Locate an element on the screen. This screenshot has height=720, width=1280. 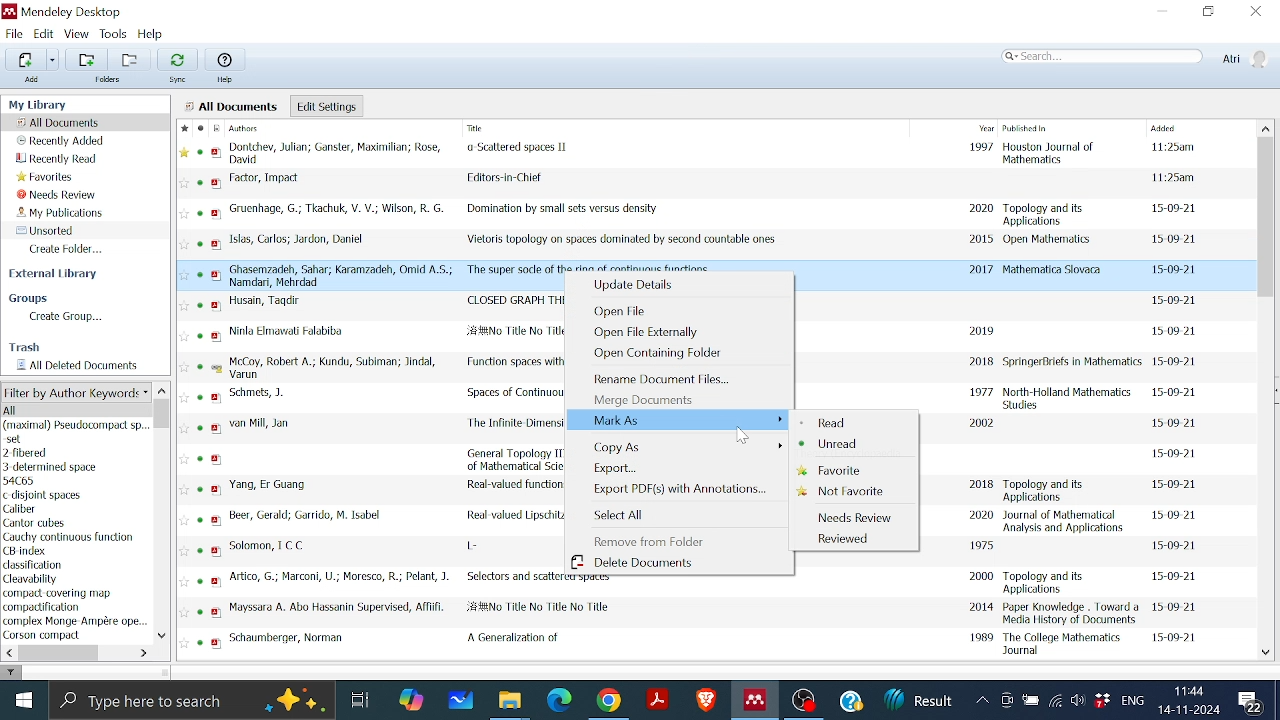
Folders is located at coordinates (110, 80).